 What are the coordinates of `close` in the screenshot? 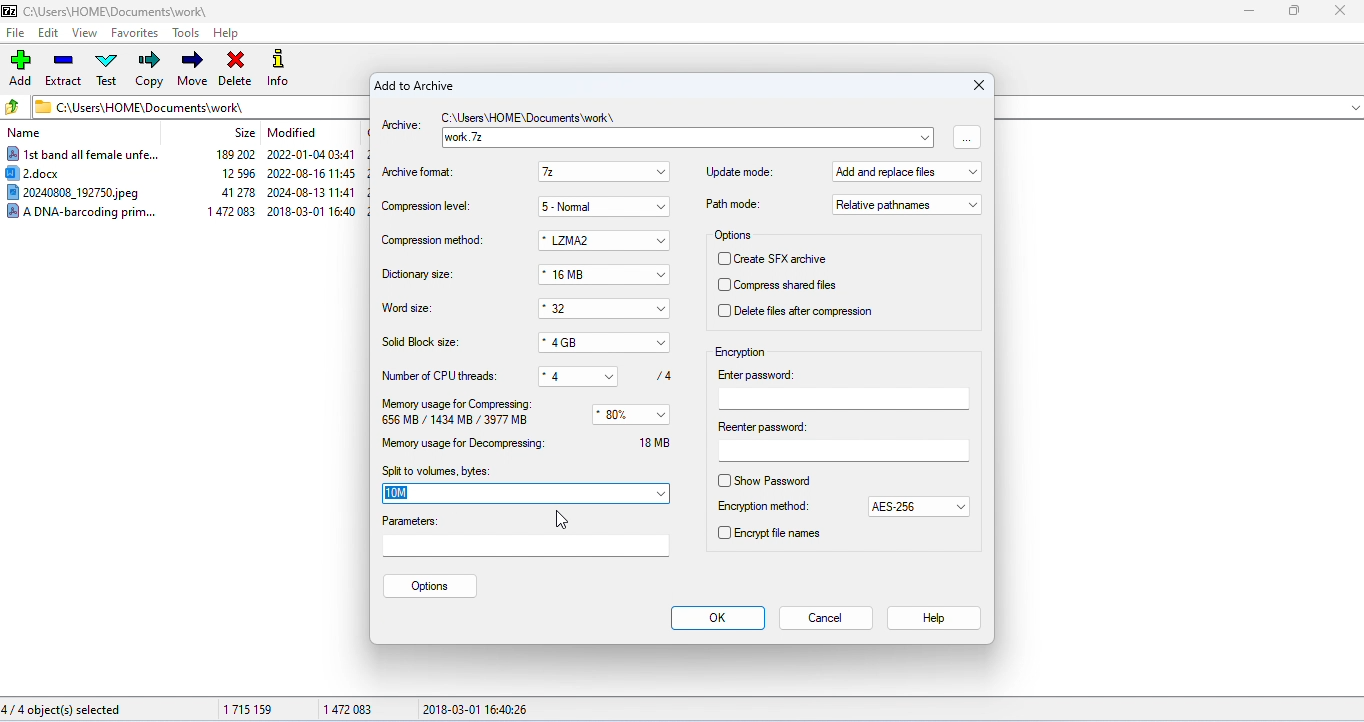 It's located at (1338, 11).